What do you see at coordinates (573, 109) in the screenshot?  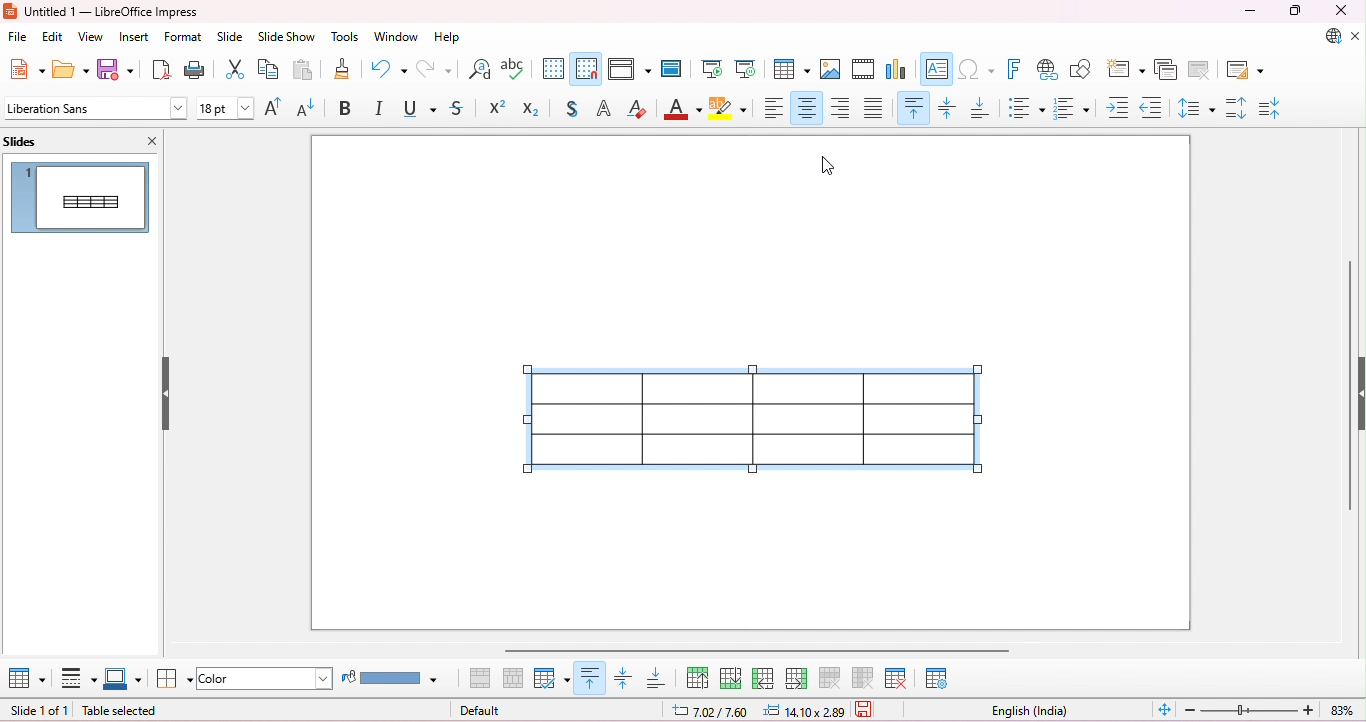 I see `toggle shadow` at bounding box center [573, 109].